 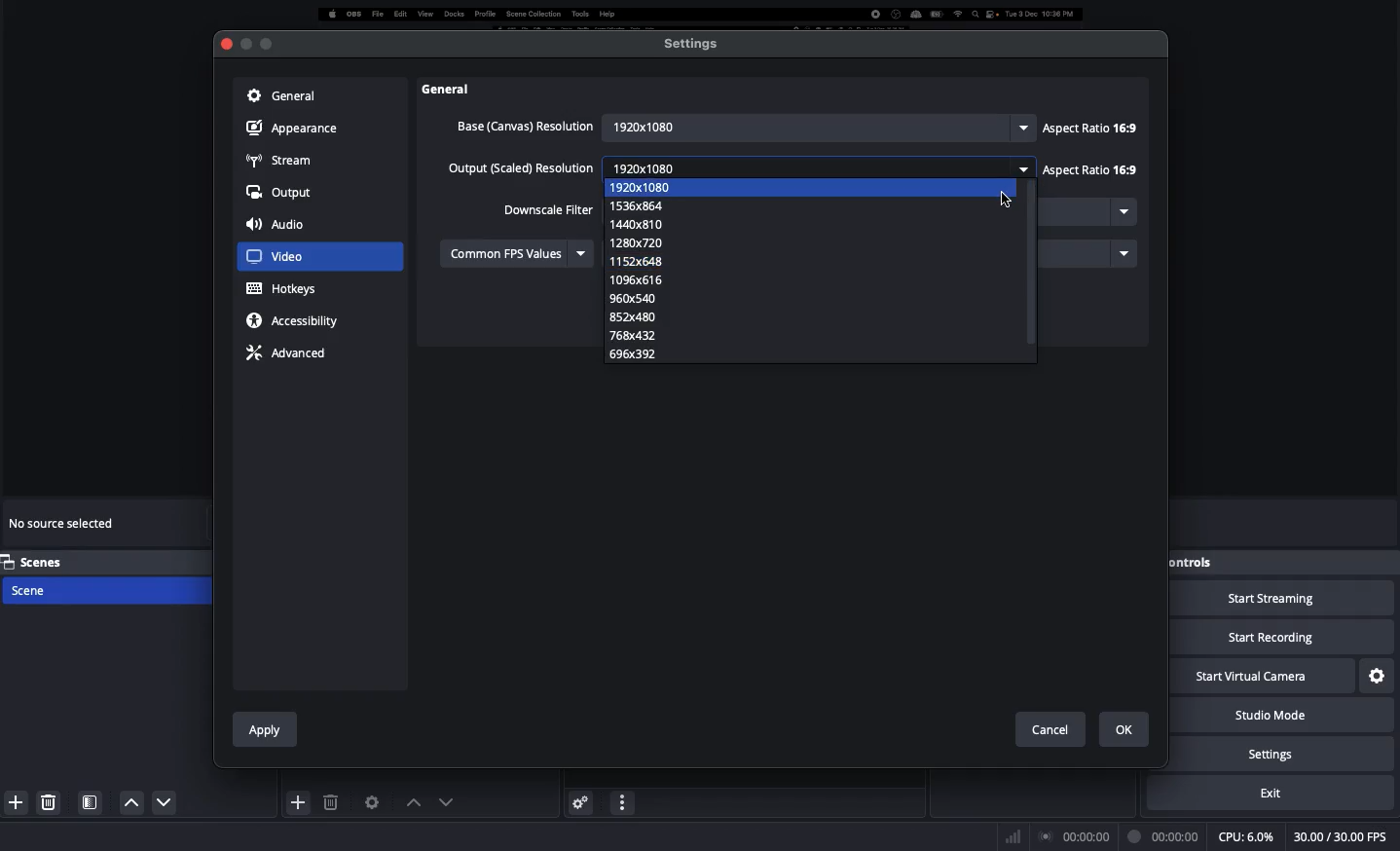 I want to click on Settings, so click(x=1379, y=674).